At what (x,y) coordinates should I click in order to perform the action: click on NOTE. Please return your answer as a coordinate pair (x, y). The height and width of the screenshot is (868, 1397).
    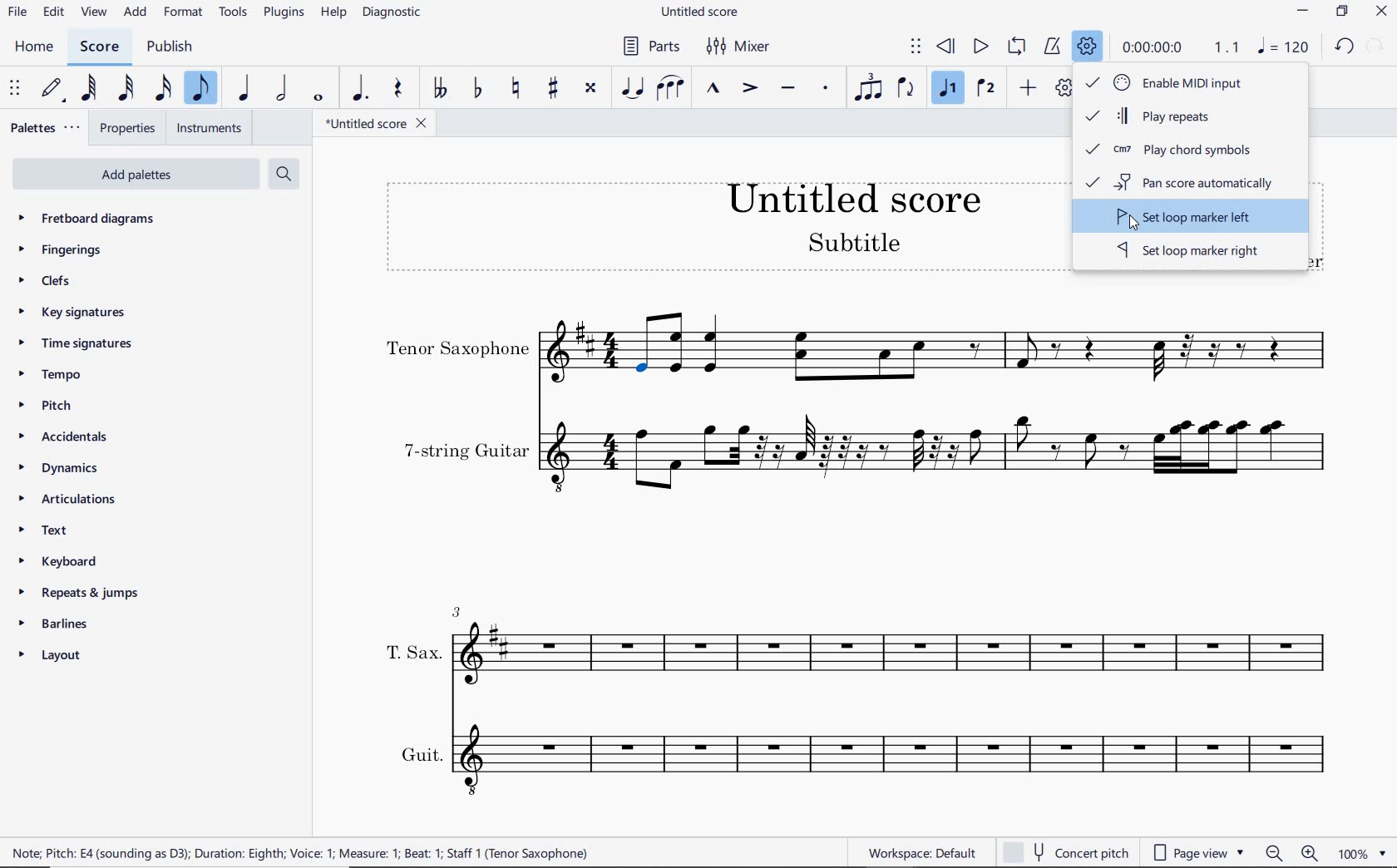
    Looking at the image, I should click on (1284, 47).